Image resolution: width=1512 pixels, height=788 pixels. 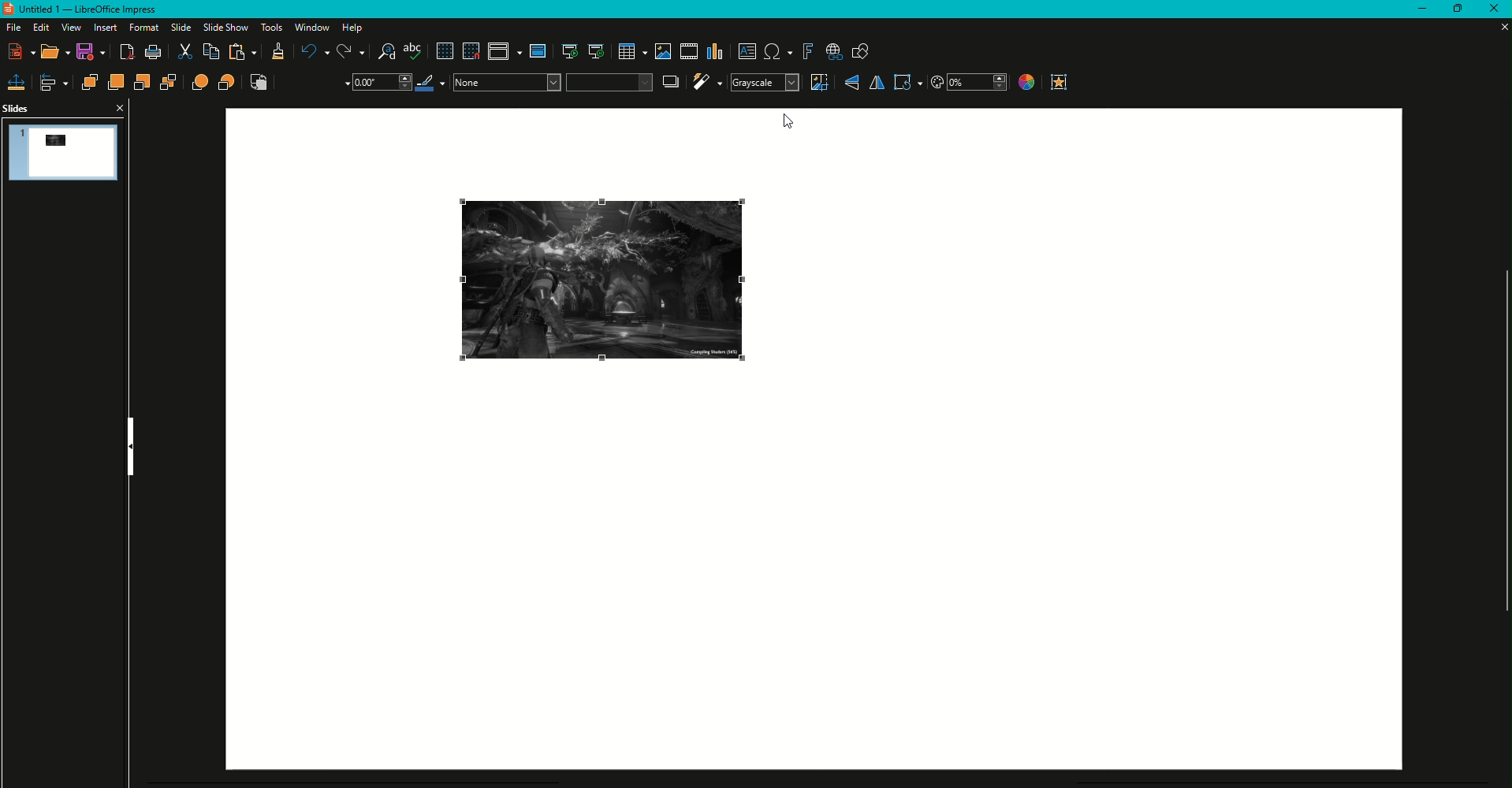 What do you see at coordinates (1498, 27) in the screenshot?
I see `Close sheet` at bounding box center [1498, 27].